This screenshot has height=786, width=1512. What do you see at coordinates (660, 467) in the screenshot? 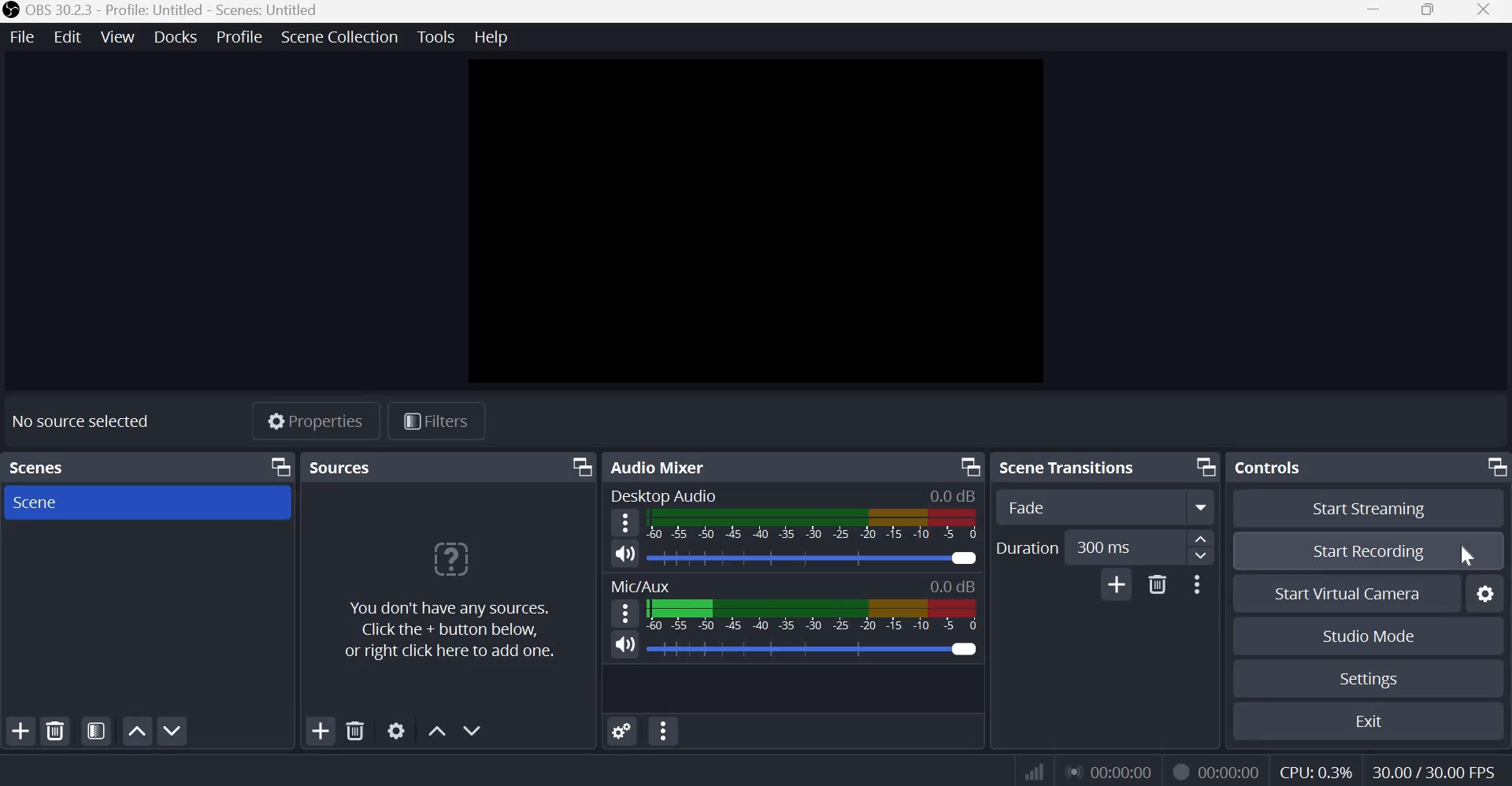
I see `Audio Mixer` at bounding box center [660, 467].